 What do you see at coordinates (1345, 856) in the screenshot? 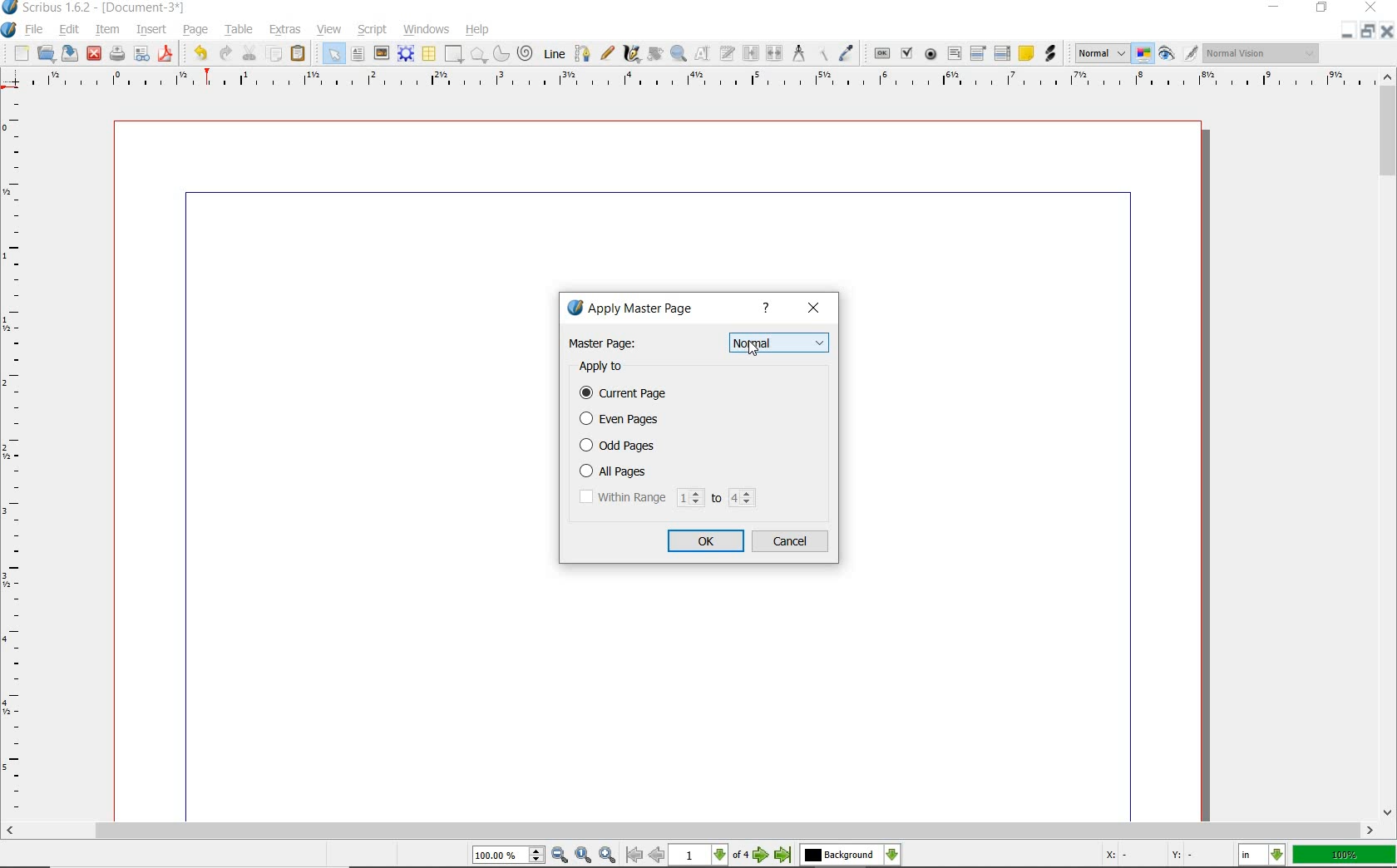
I see `zoom factor 100%` at bounding box center [1345, 856].